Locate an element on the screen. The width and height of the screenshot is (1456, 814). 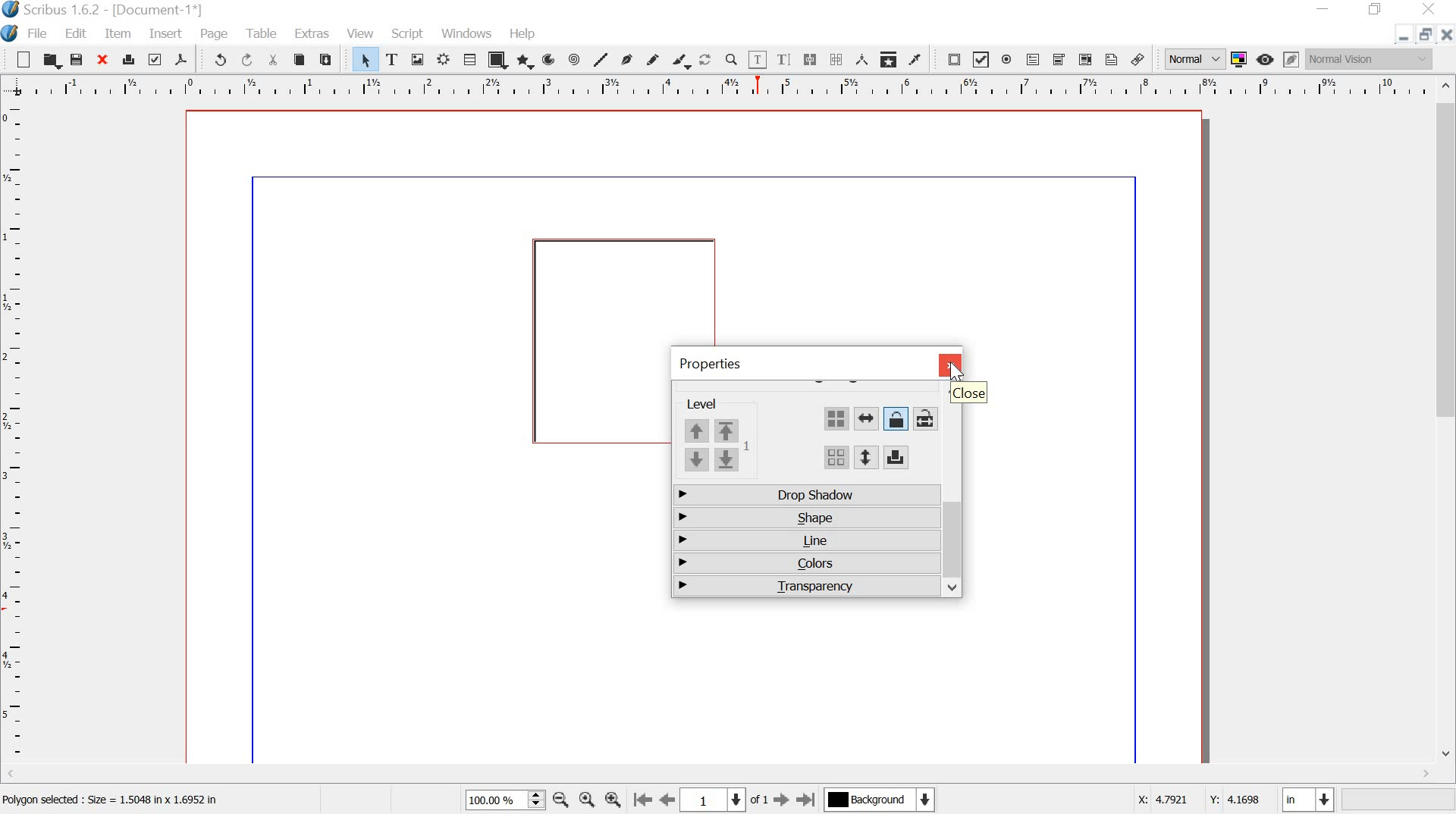
copy item properties is located at coordinates (890, 60).